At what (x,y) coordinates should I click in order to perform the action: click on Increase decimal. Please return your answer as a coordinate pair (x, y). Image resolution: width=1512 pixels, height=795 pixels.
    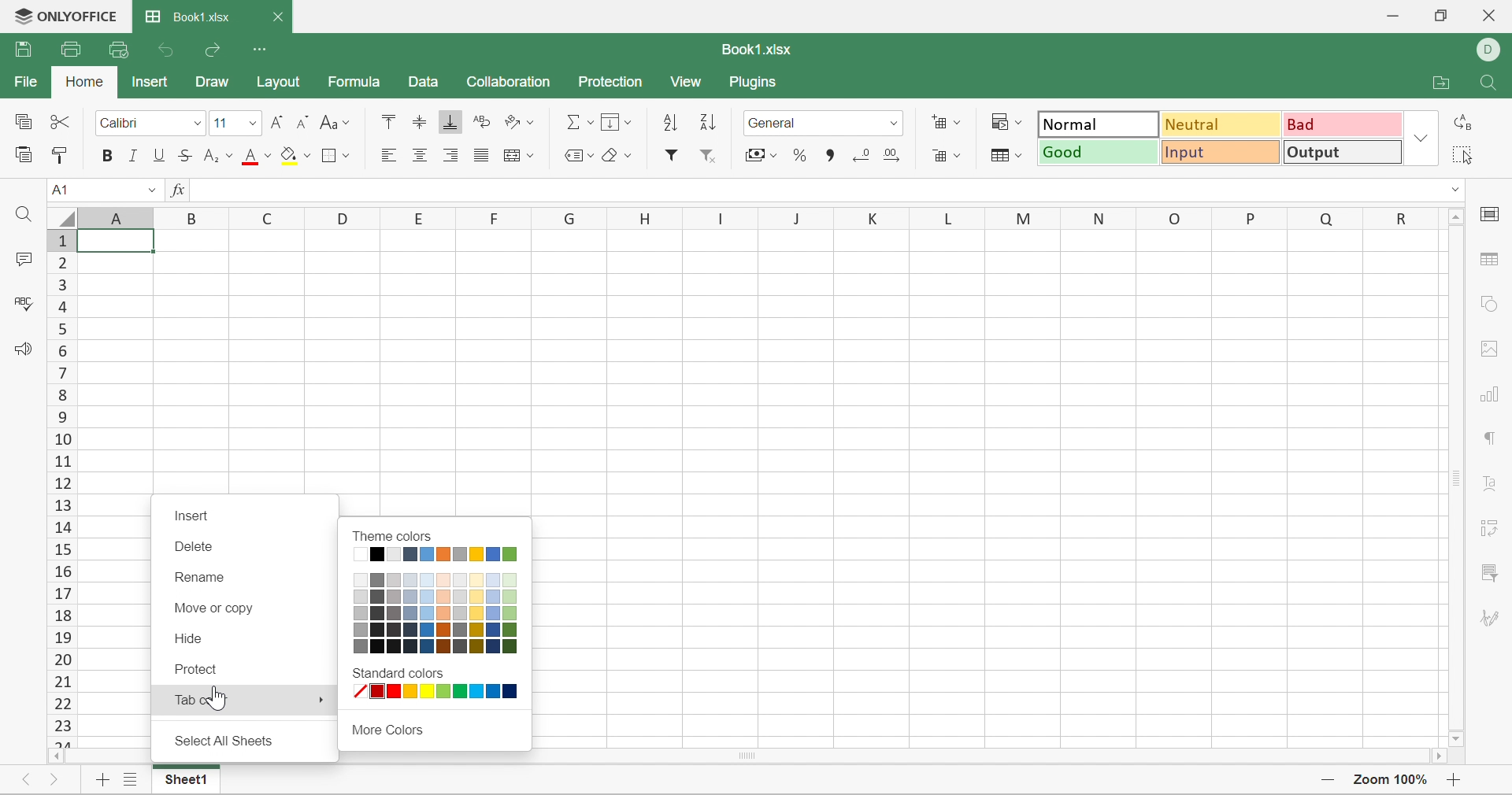
    Looking at the image, I should click on (891, 154).